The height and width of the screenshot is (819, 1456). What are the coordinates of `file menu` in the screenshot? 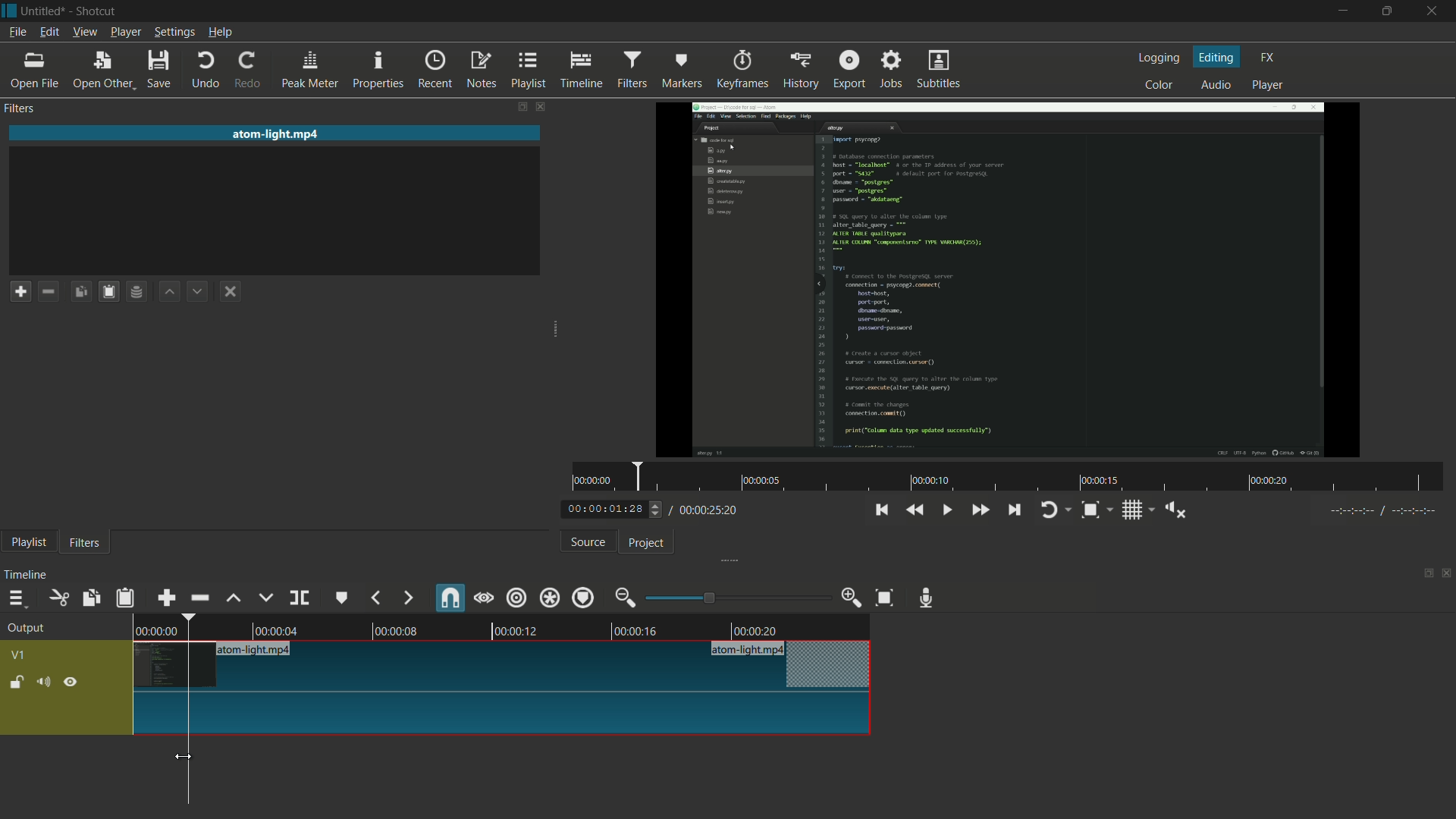 It's located at (17, 33).